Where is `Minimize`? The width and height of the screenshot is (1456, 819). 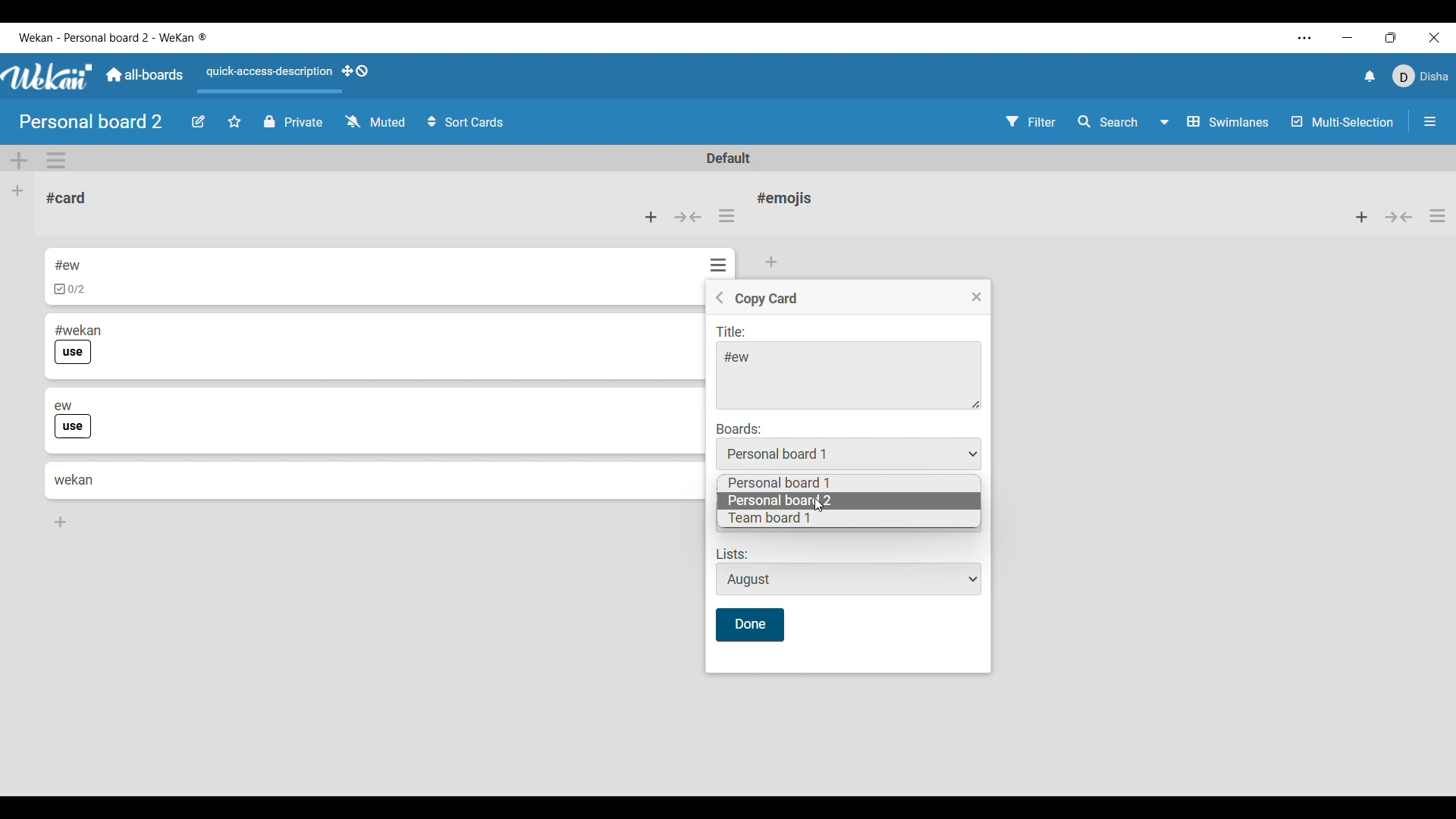
Minimize is located at coordinates (1348, 37).